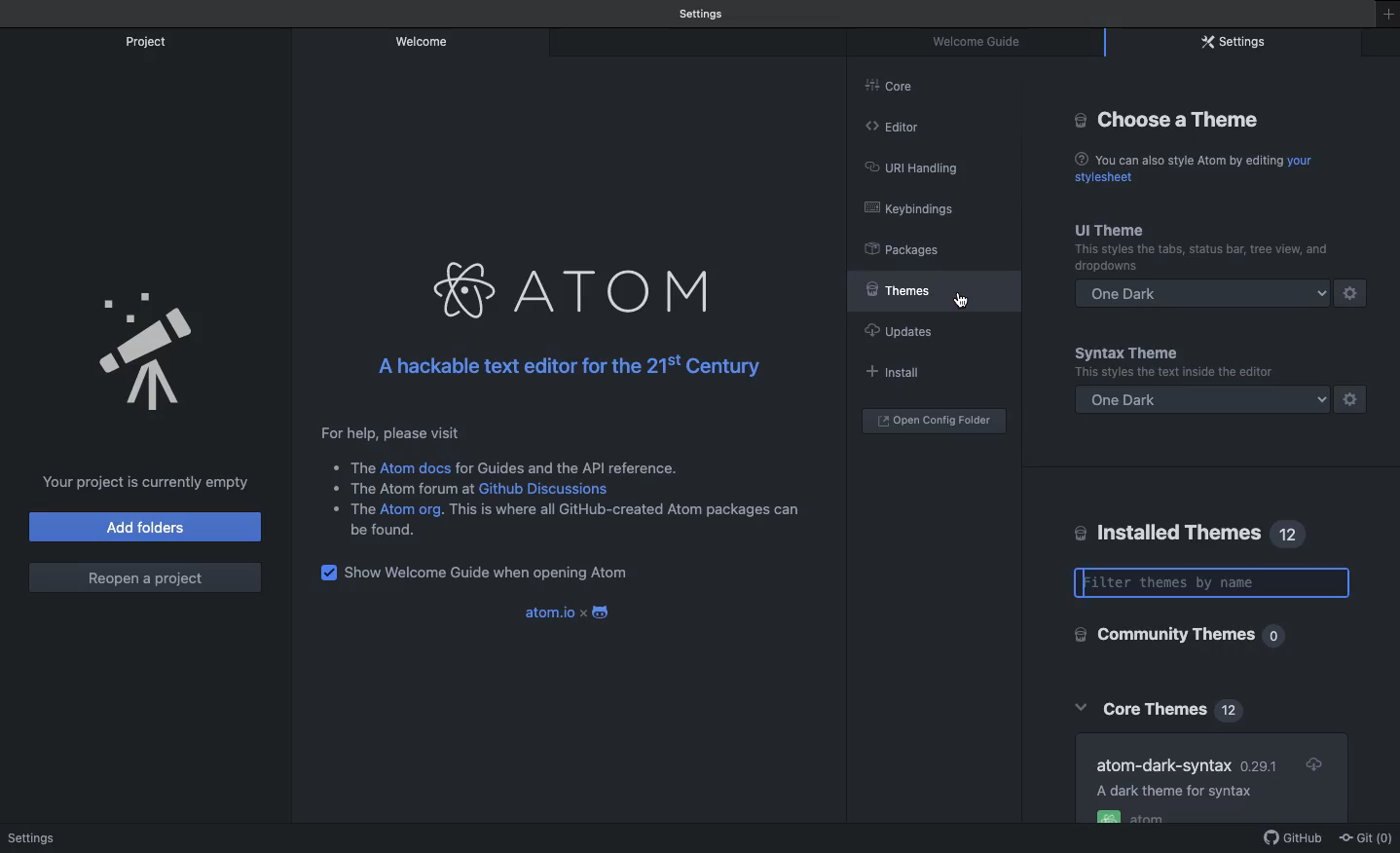  What do you see at coordinates (1369, 838) in the screenshot?
I see `Git` at bounding box center [1369, 838].